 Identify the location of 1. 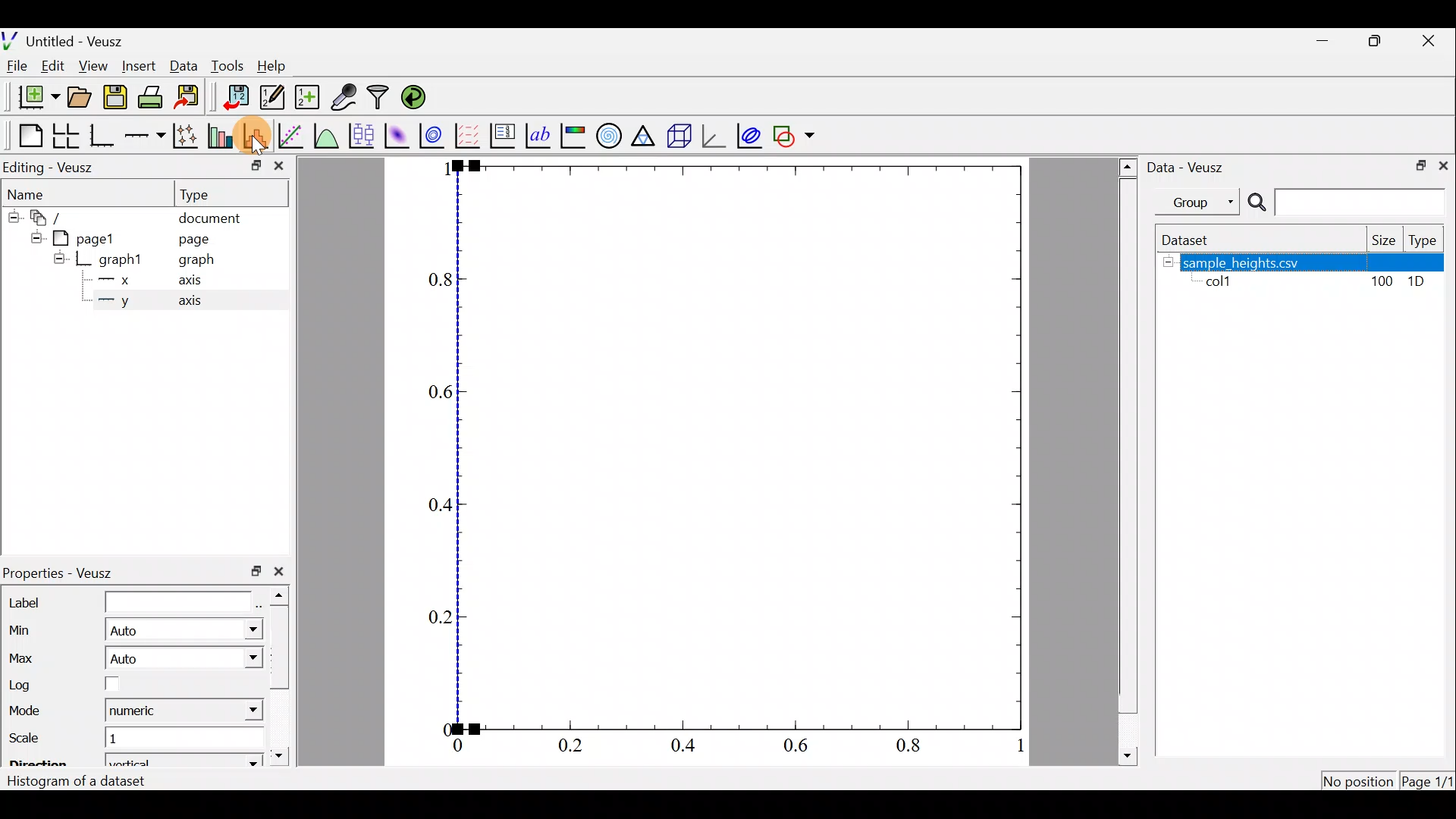
(438, 170).